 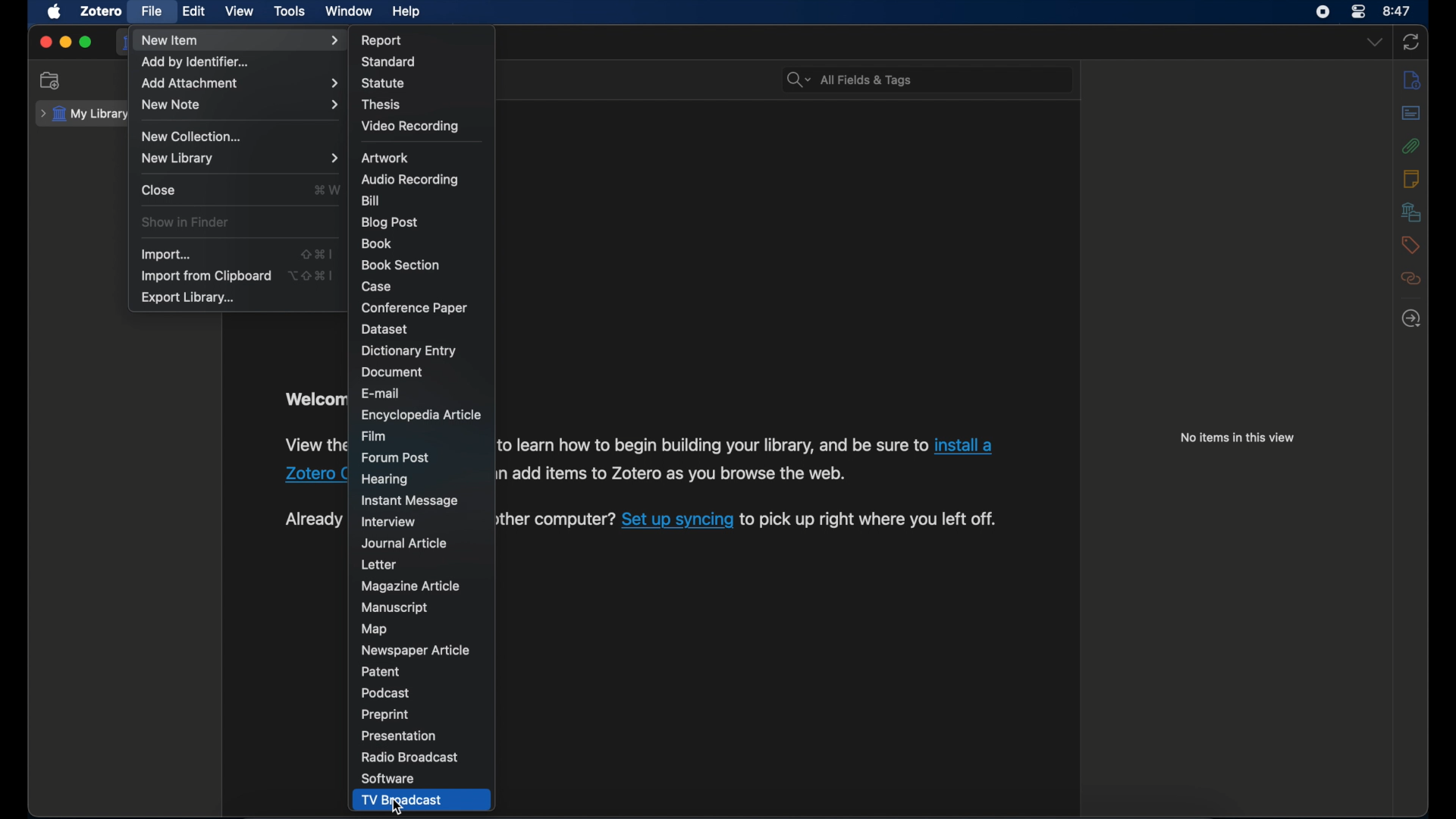 What do you see at coordinates (409, 758) in the screenshot?
I see `radio broadcast` at bounding box center [409, 758].